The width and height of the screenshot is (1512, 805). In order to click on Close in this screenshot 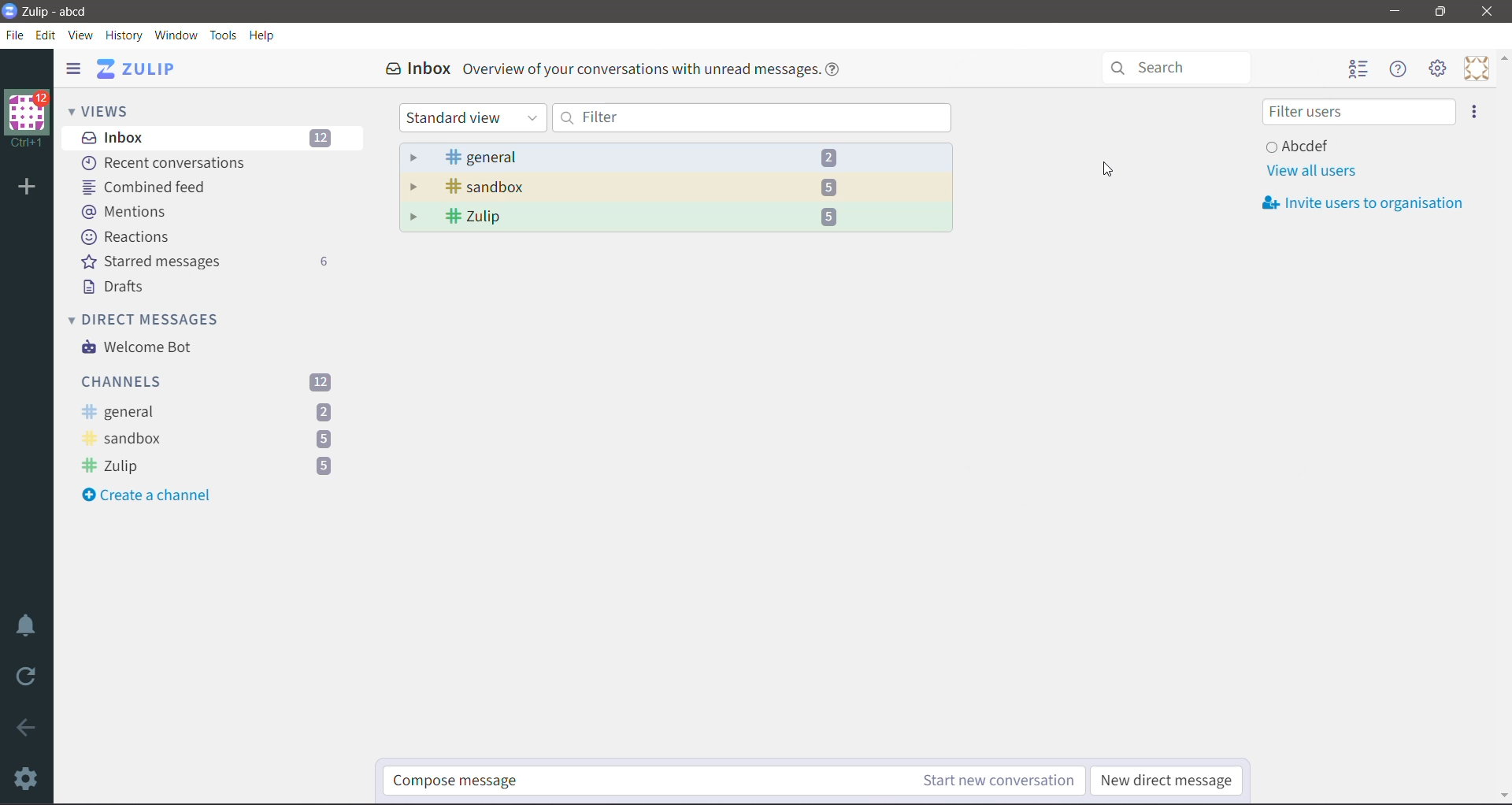, I will do `click(1487, 12)`.